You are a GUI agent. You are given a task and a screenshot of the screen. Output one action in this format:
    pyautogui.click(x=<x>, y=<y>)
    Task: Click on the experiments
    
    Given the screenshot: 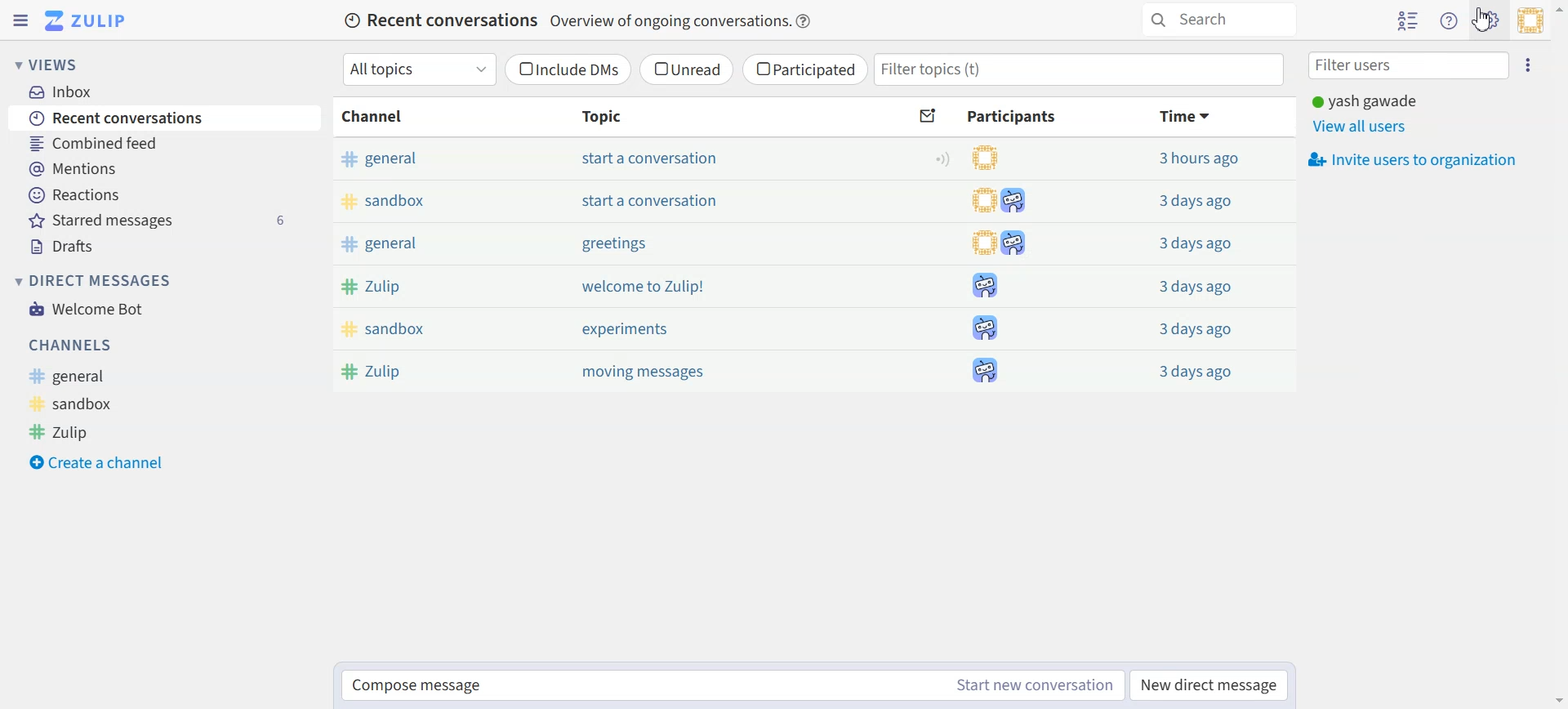 What is the action you would take?
    pyautogui.click(x=629, y=330)
    